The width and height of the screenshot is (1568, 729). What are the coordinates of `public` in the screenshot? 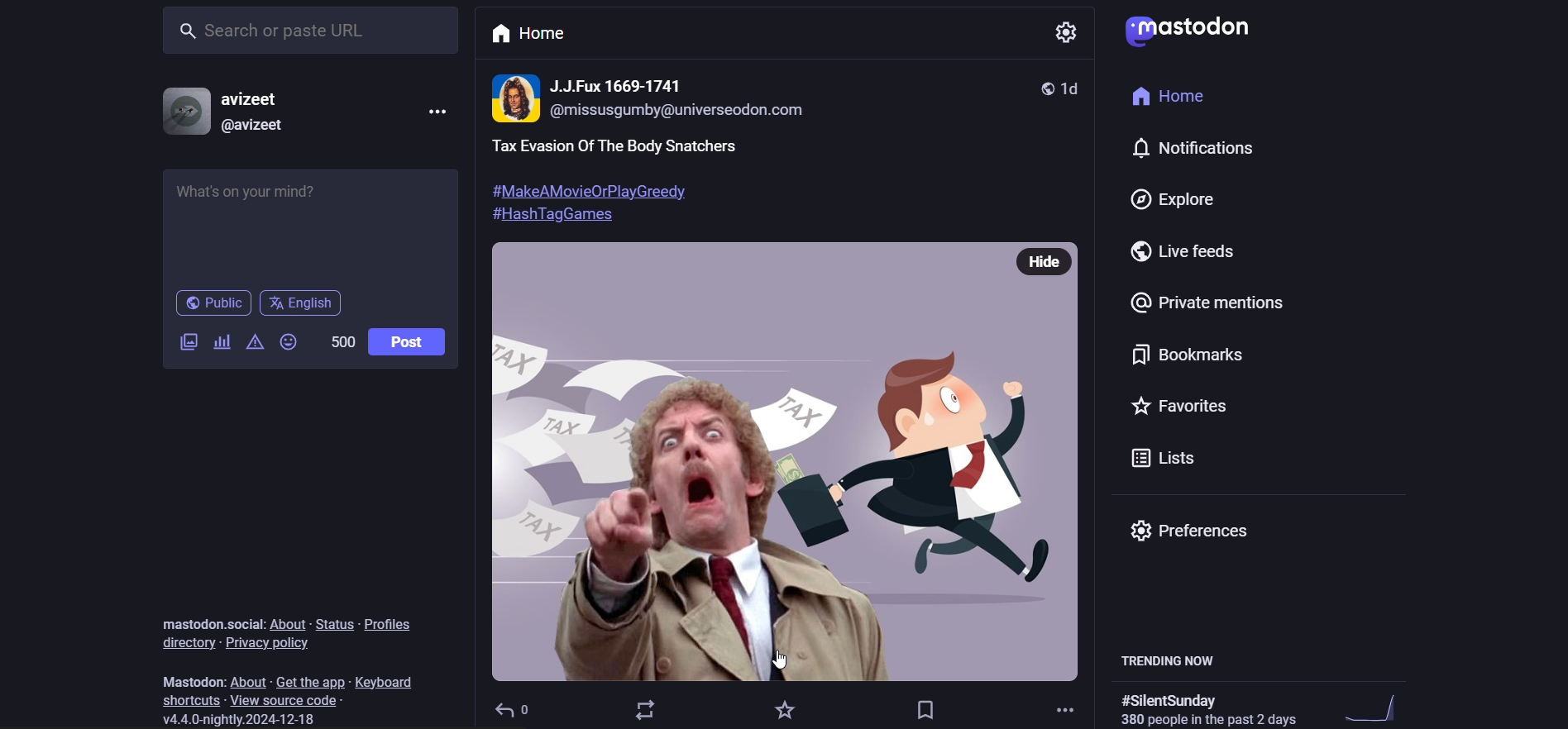 It's located at (214, 303).